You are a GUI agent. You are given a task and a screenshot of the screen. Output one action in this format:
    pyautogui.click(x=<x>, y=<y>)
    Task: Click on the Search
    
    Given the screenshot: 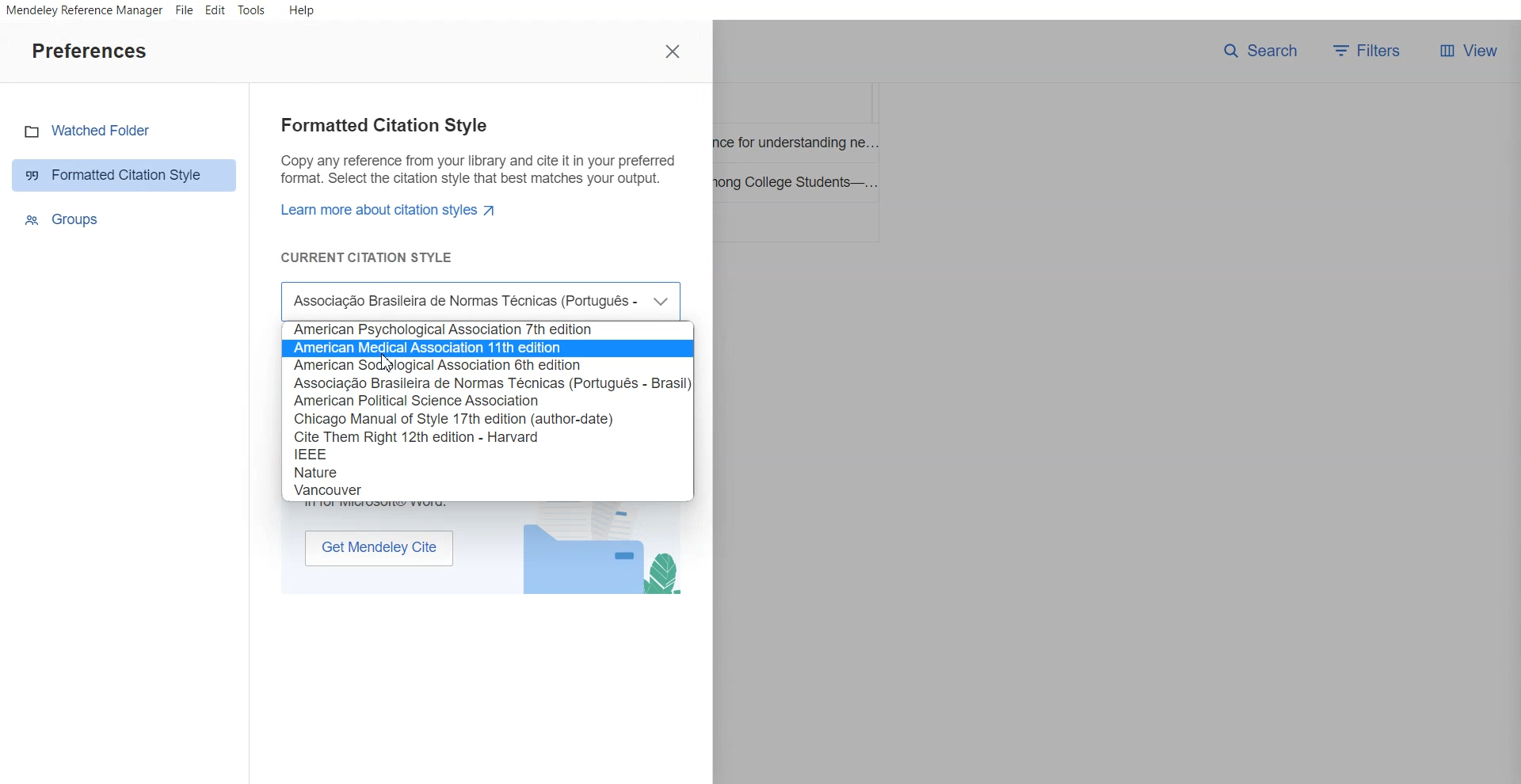 What is the action you would take?
    pyautogui.click(x=1260, y=51)
    